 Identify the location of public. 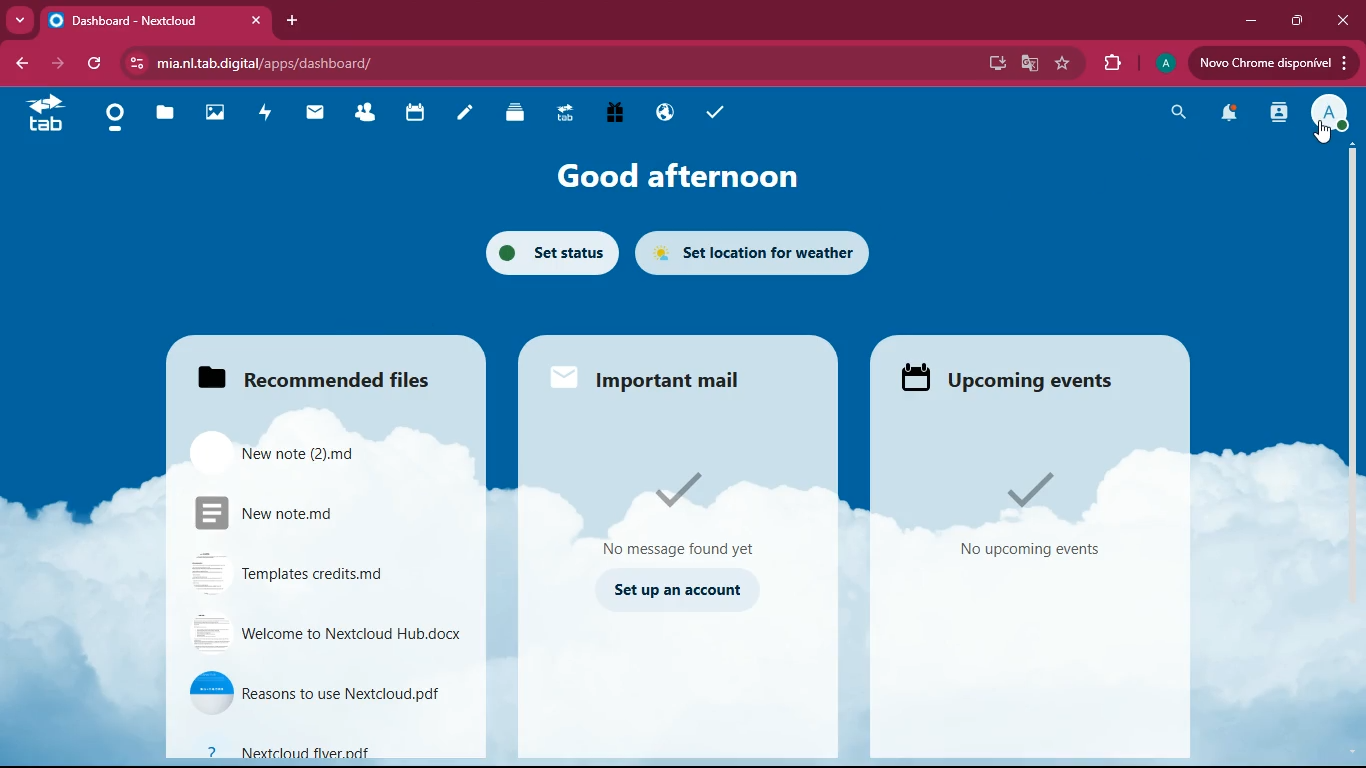
(661, 111).